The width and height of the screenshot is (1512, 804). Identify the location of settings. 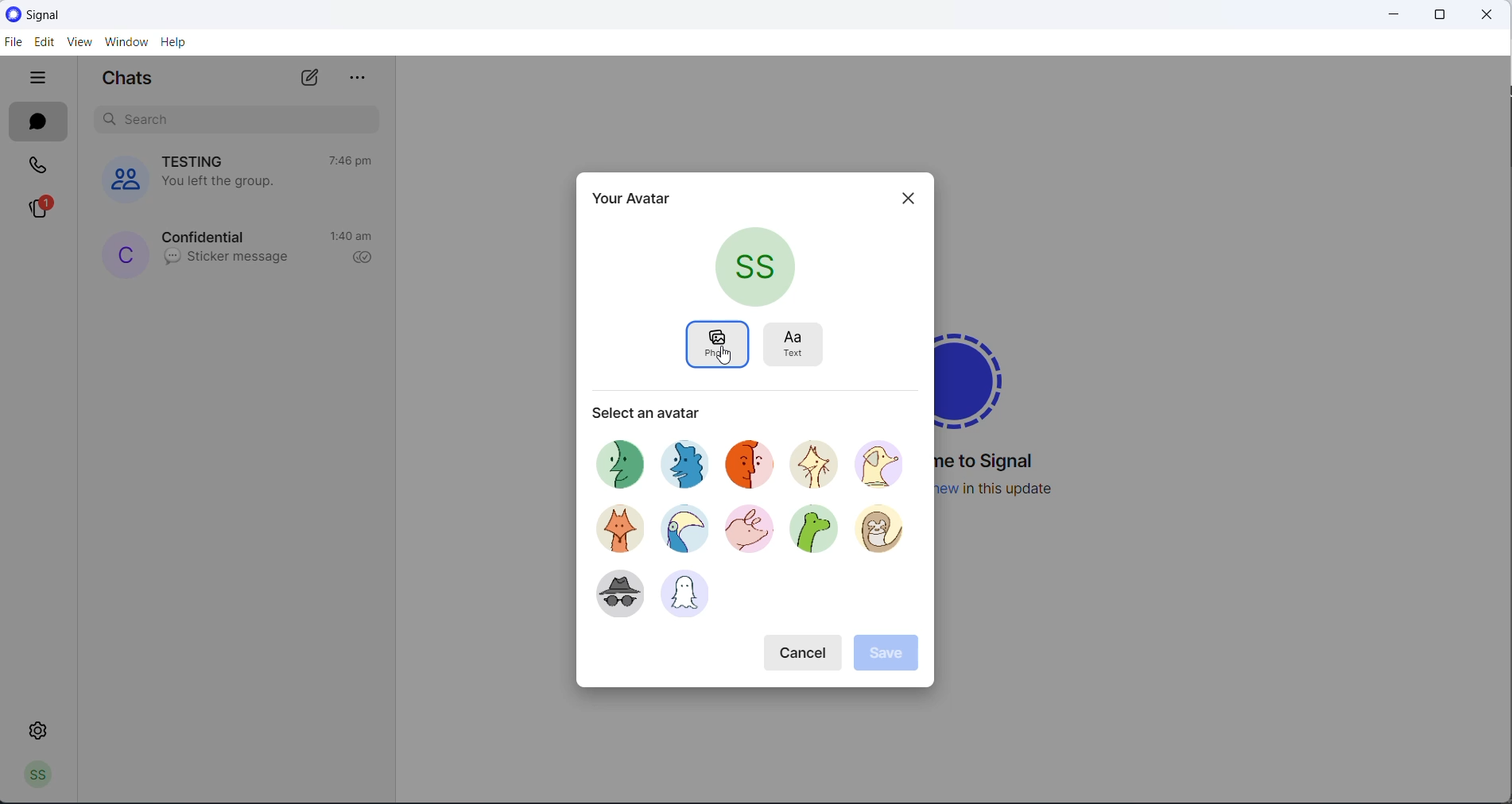
(41, 729).